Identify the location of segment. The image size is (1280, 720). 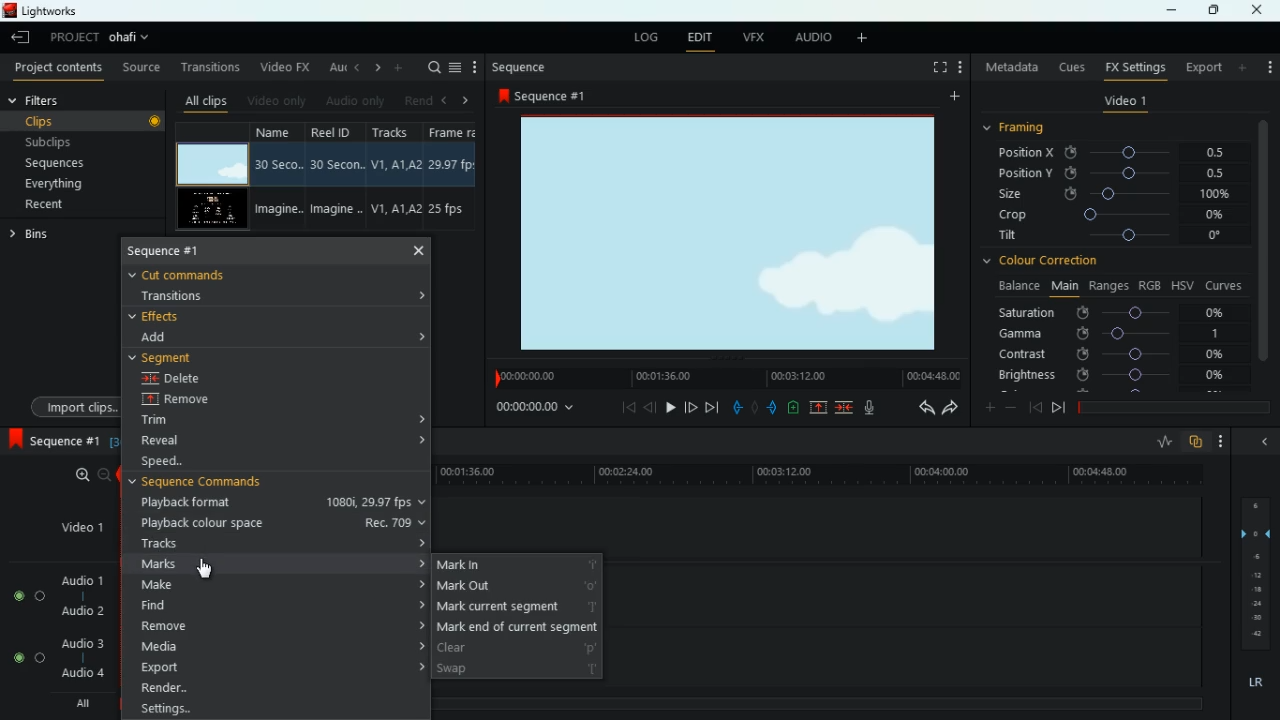
(173, 358).